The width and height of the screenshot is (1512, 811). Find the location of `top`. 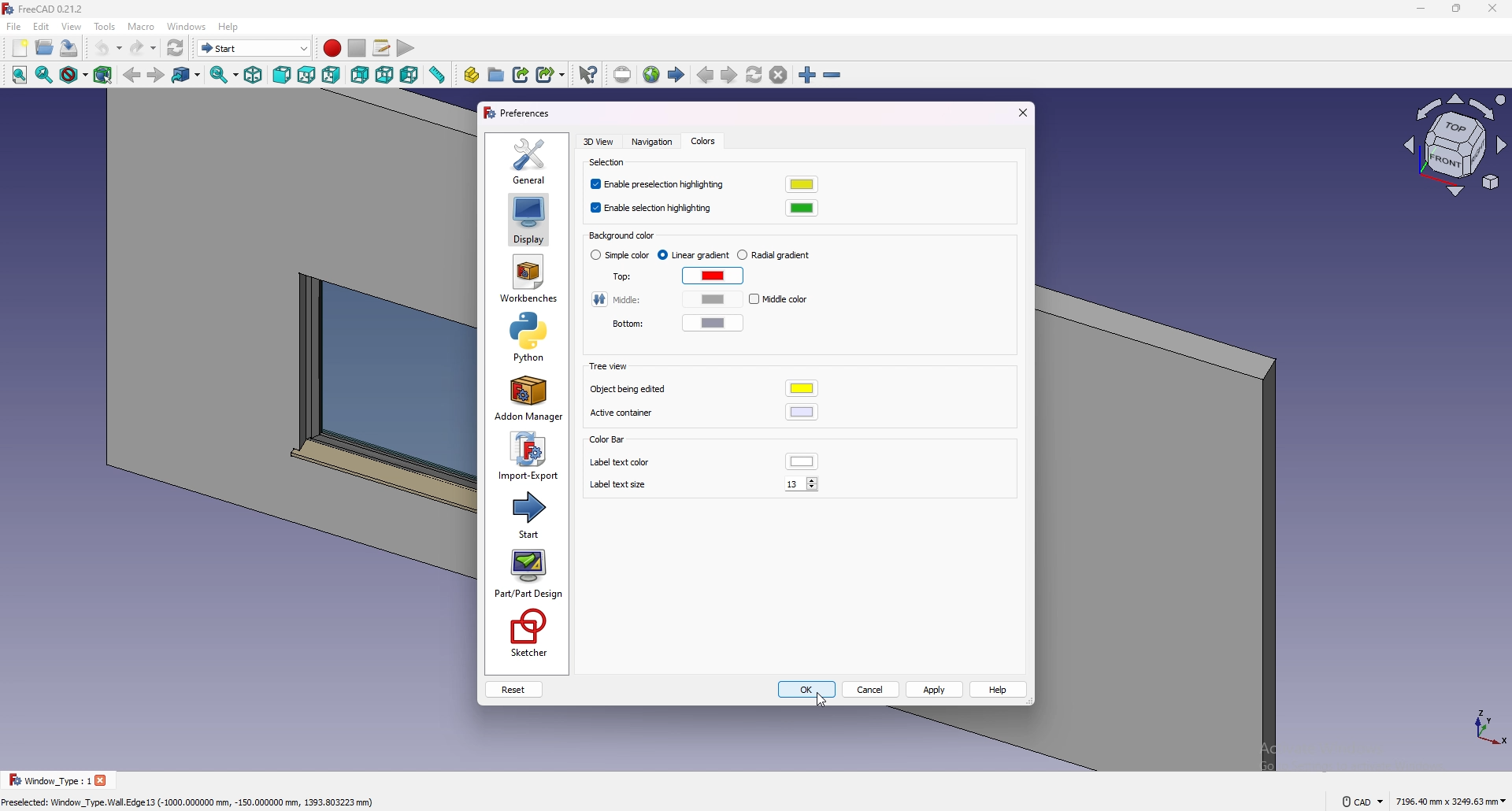

top is located at coordinates (617, 276).